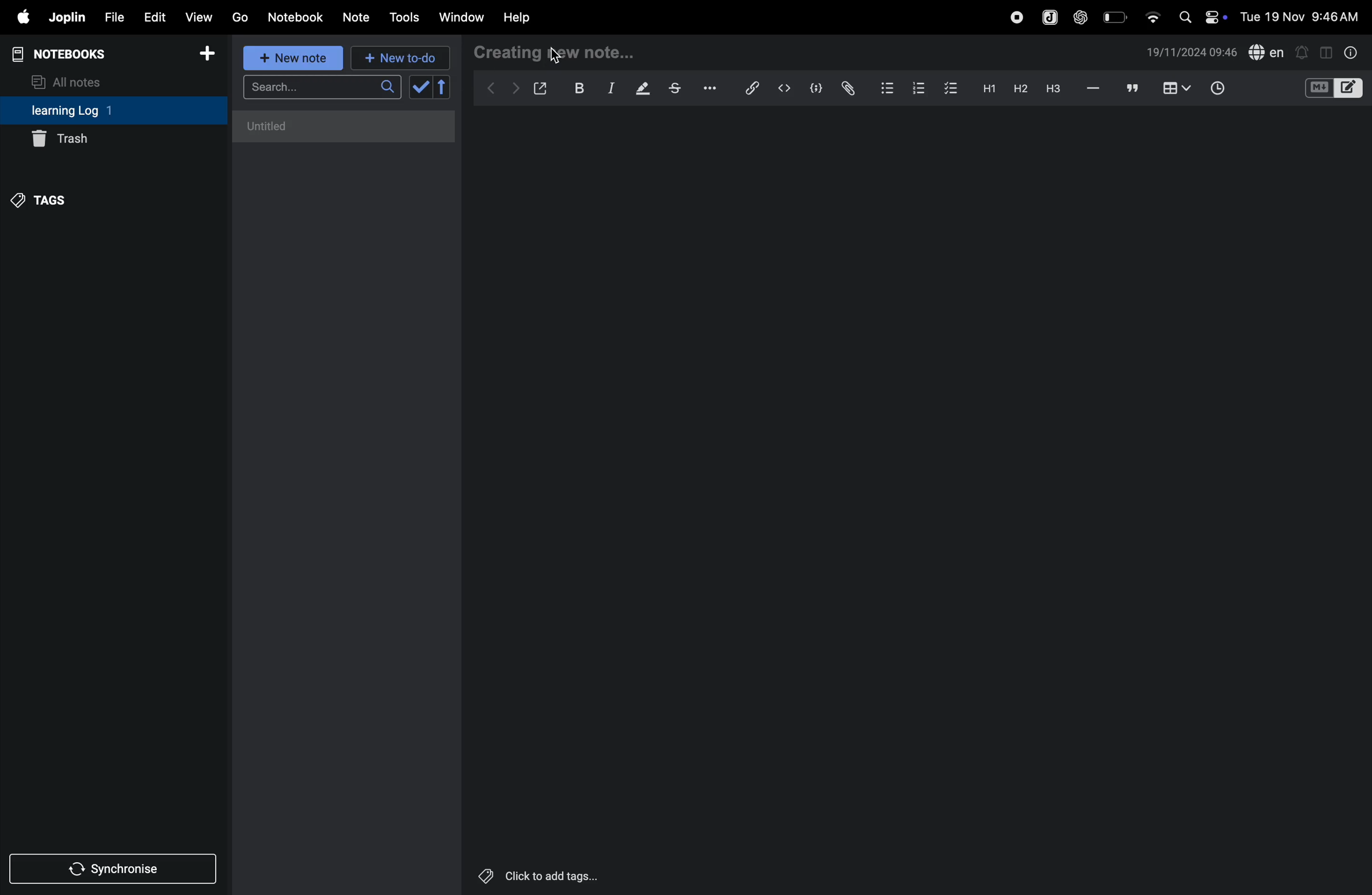 This screenshot has height=895, width=1372. What do you see at coordinates (239, 17) in the screenshot?
I see `go` at bounding box center [239, 17].